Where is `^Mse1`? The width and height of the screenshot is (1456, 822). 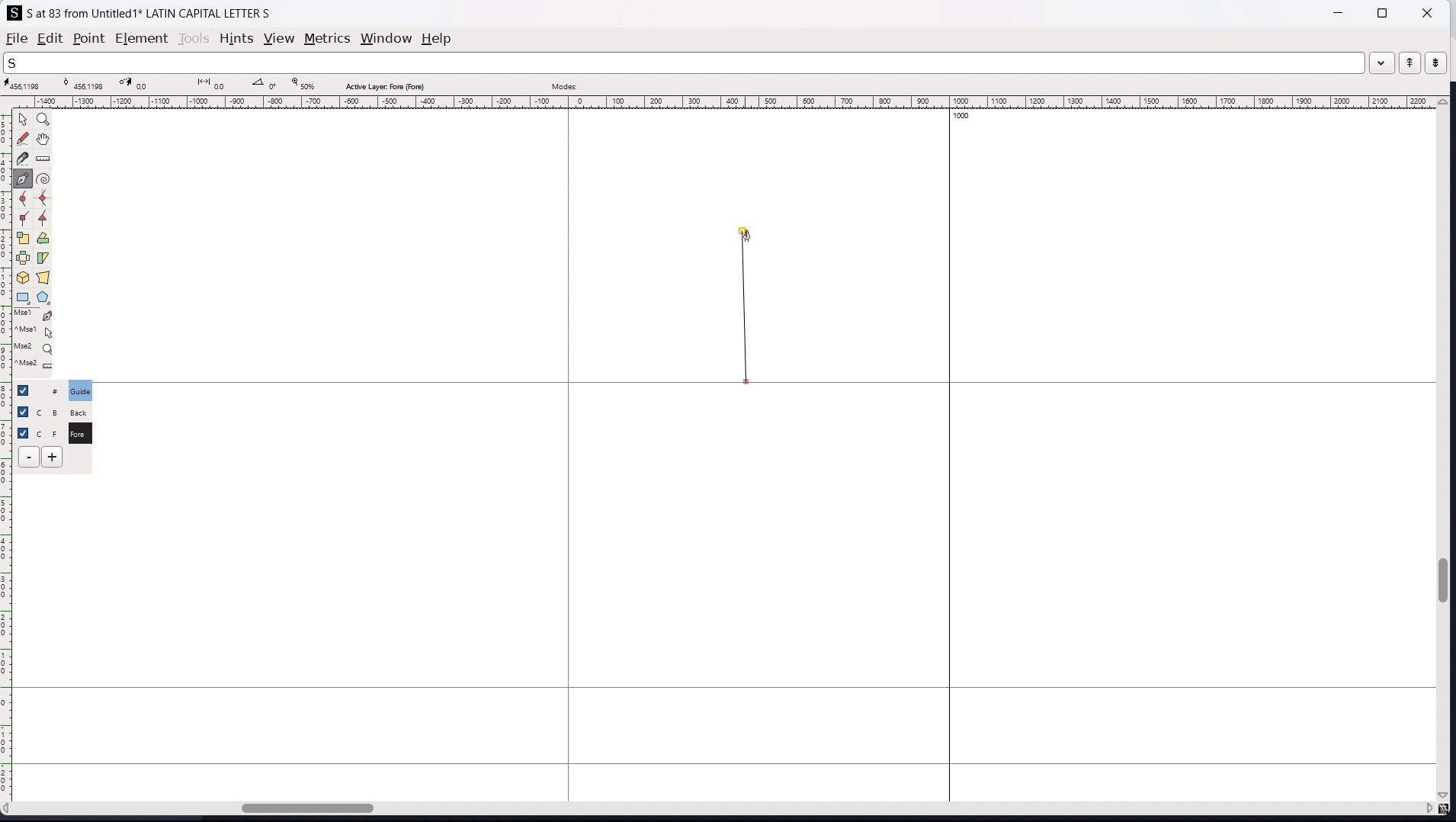
^Mse1 is located at coordinates (34, 332).